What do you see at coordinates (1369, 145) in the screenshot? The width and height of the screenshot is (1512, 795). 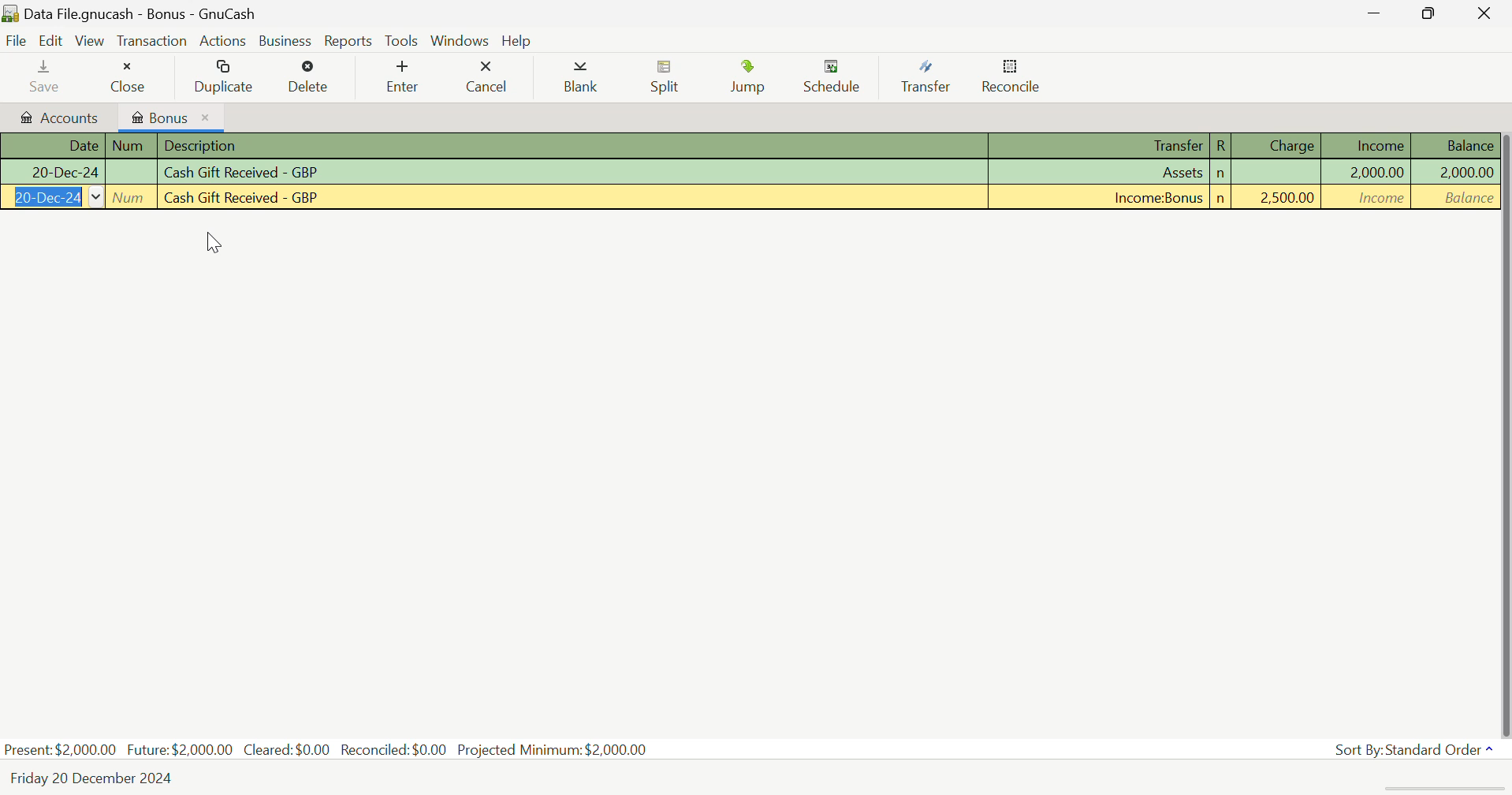 I see `Income` at bounding box center [1369, 145].